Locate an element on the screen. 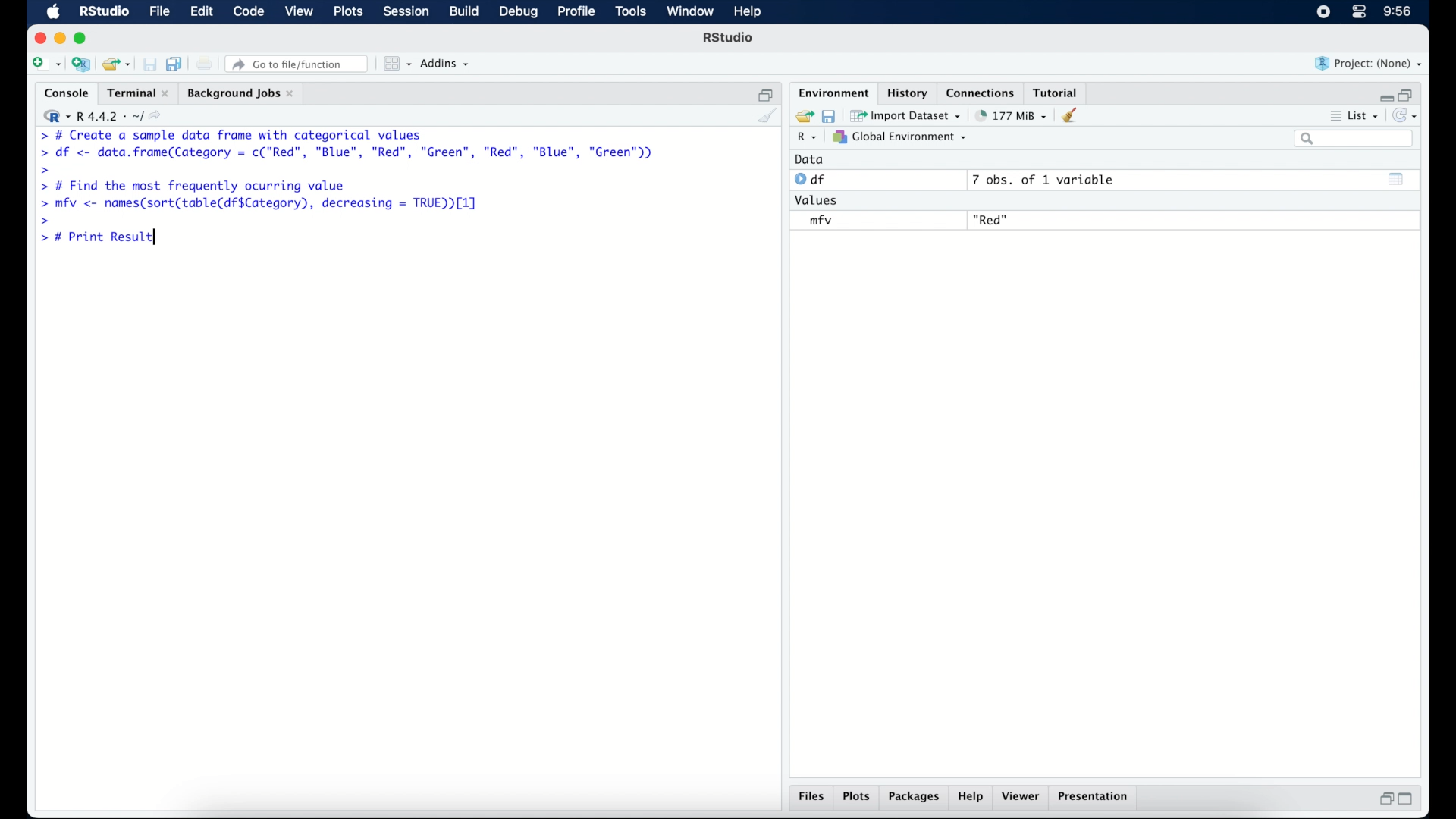 Image resolution: width=1456 pixels, height=819 pixels. packages is located at coordinates (915, 799).